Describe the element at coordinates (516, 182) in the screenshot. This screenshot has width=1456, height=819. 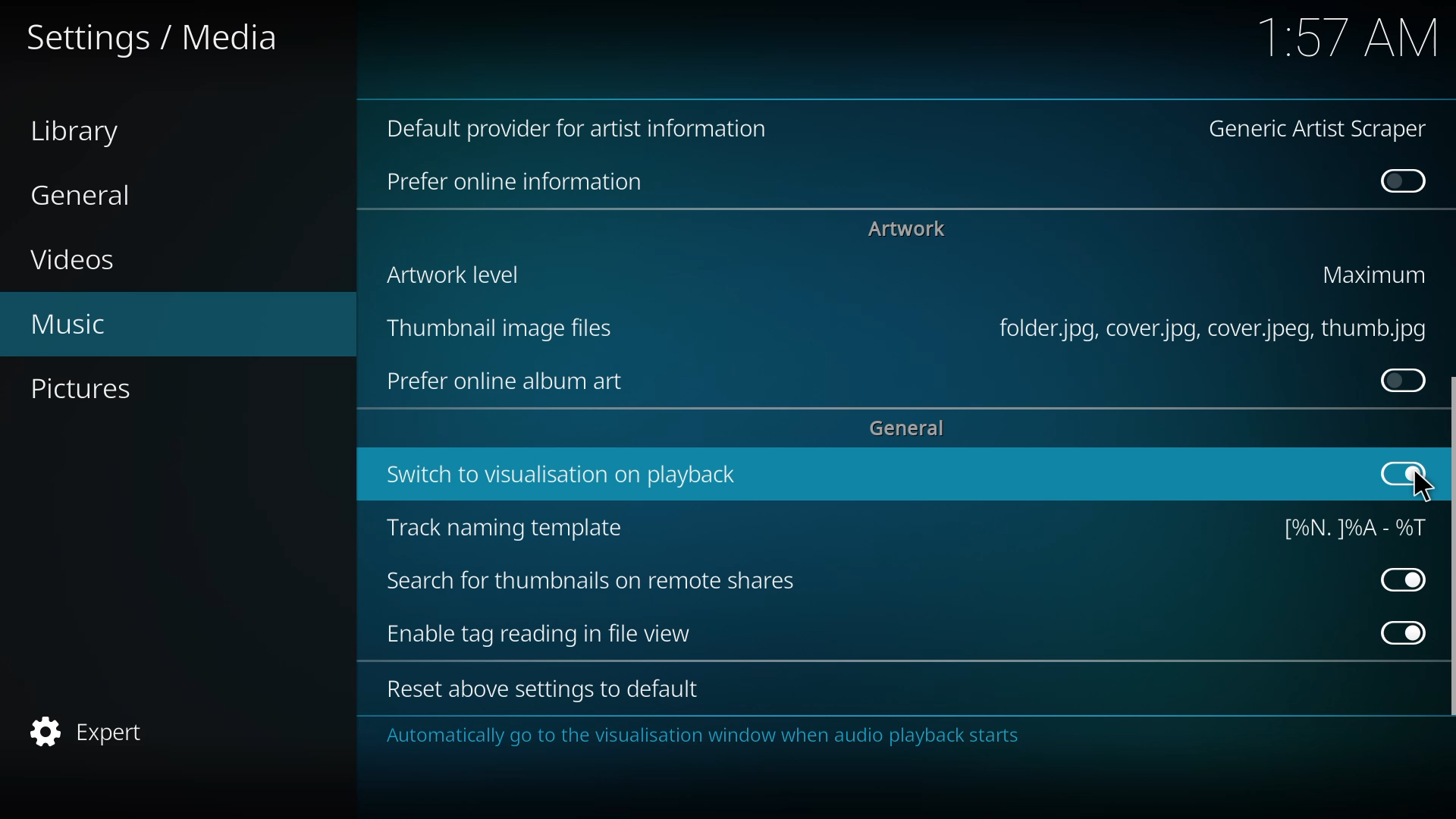
I see `online` at that location.